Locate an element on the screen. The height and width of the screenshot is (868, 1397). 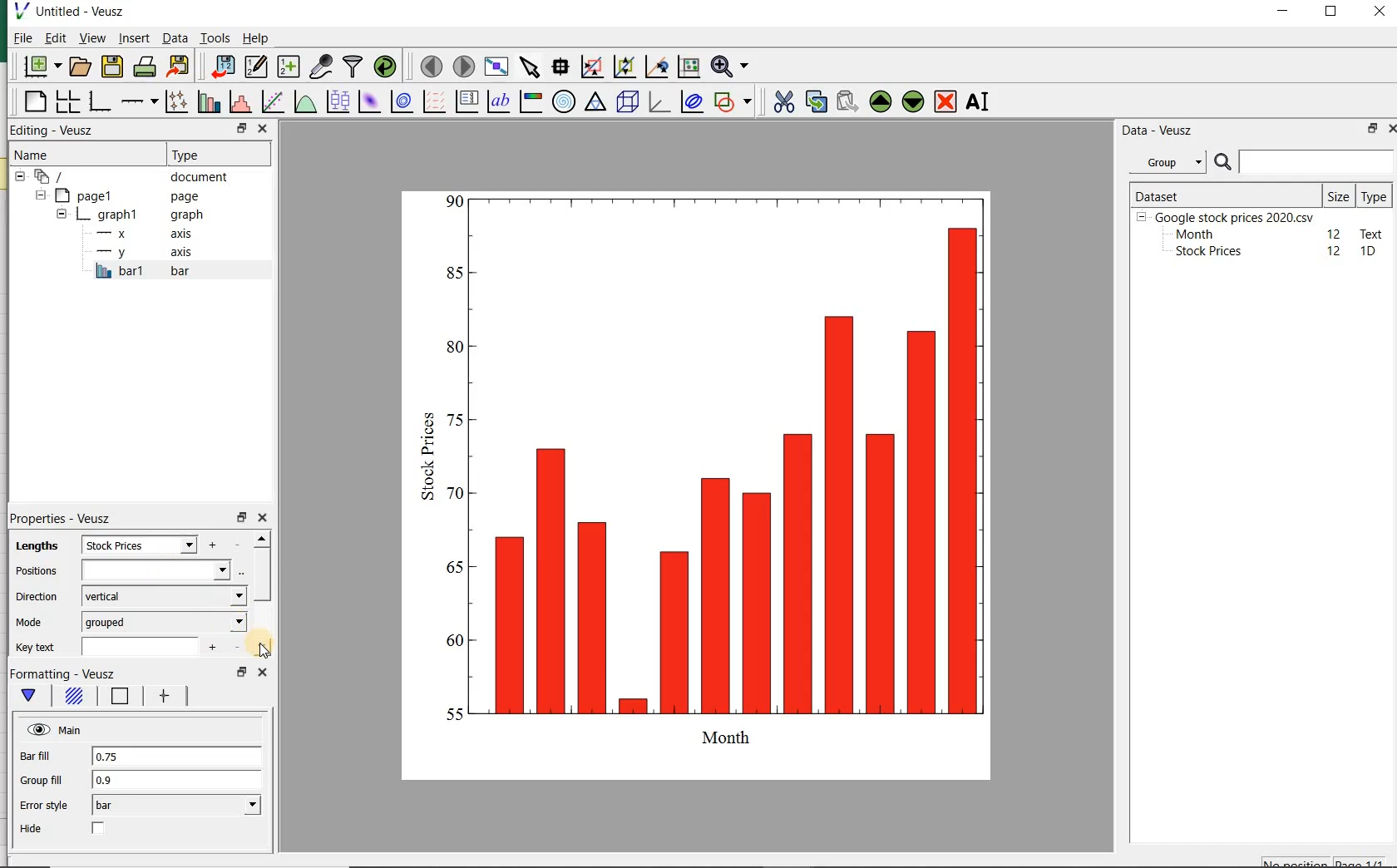
input field is located at coordinates (155, 570).